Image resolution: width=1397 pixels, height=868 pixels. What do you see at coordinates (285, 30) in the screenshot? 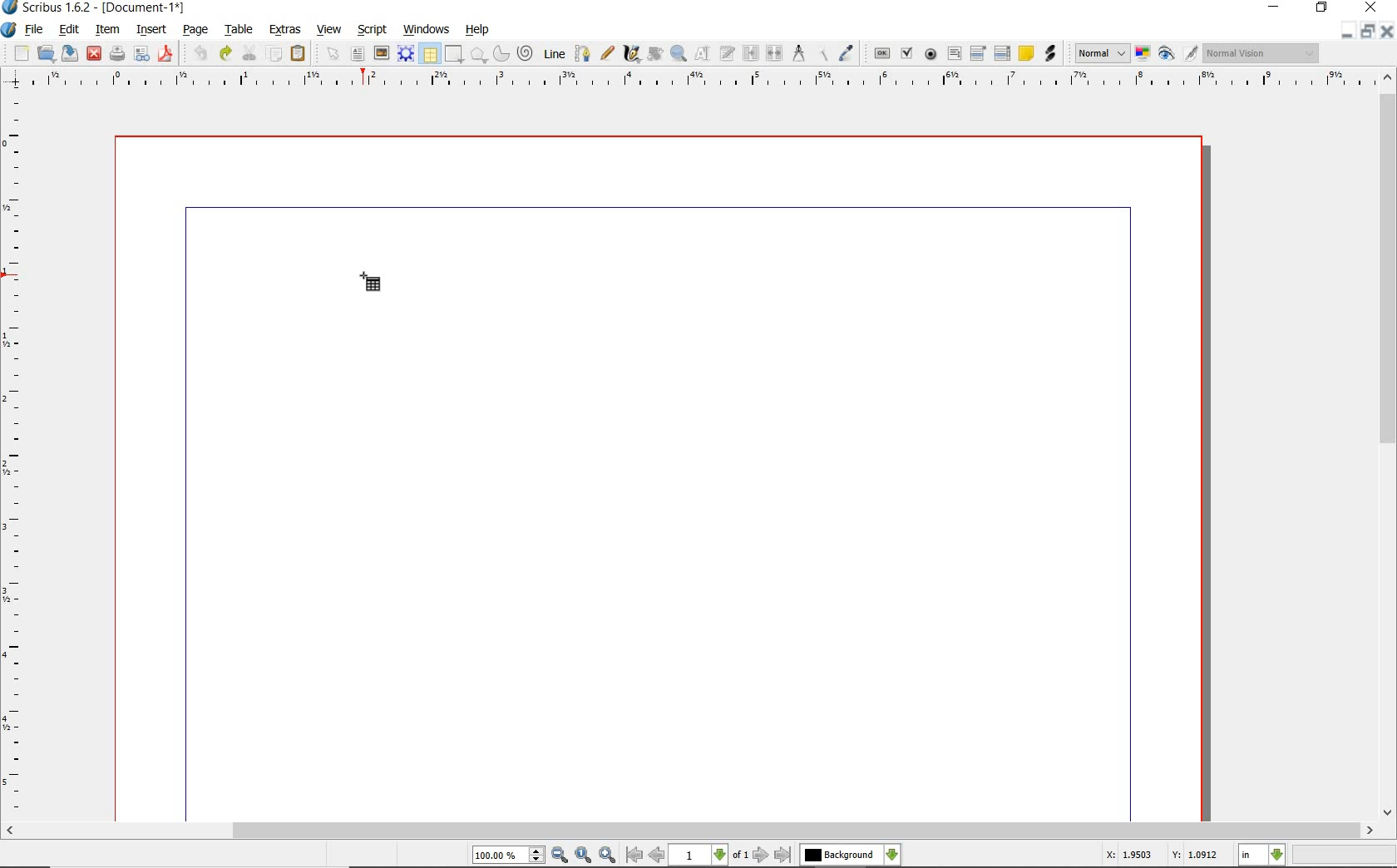
I see `extras` at bounding box center [285, 30].